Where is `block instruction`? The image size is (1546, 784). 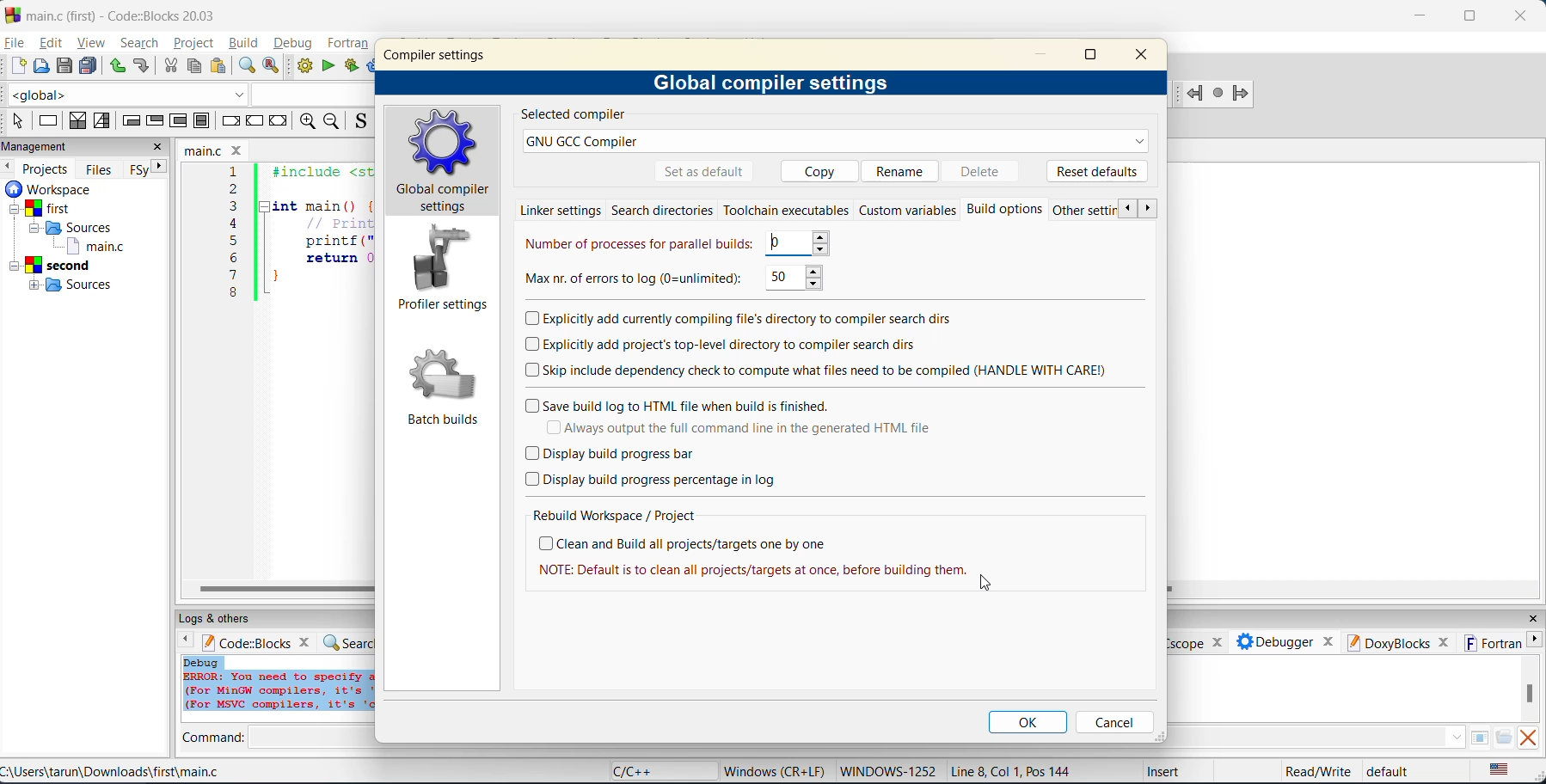 block instruction is located at coordinates (203, 121).